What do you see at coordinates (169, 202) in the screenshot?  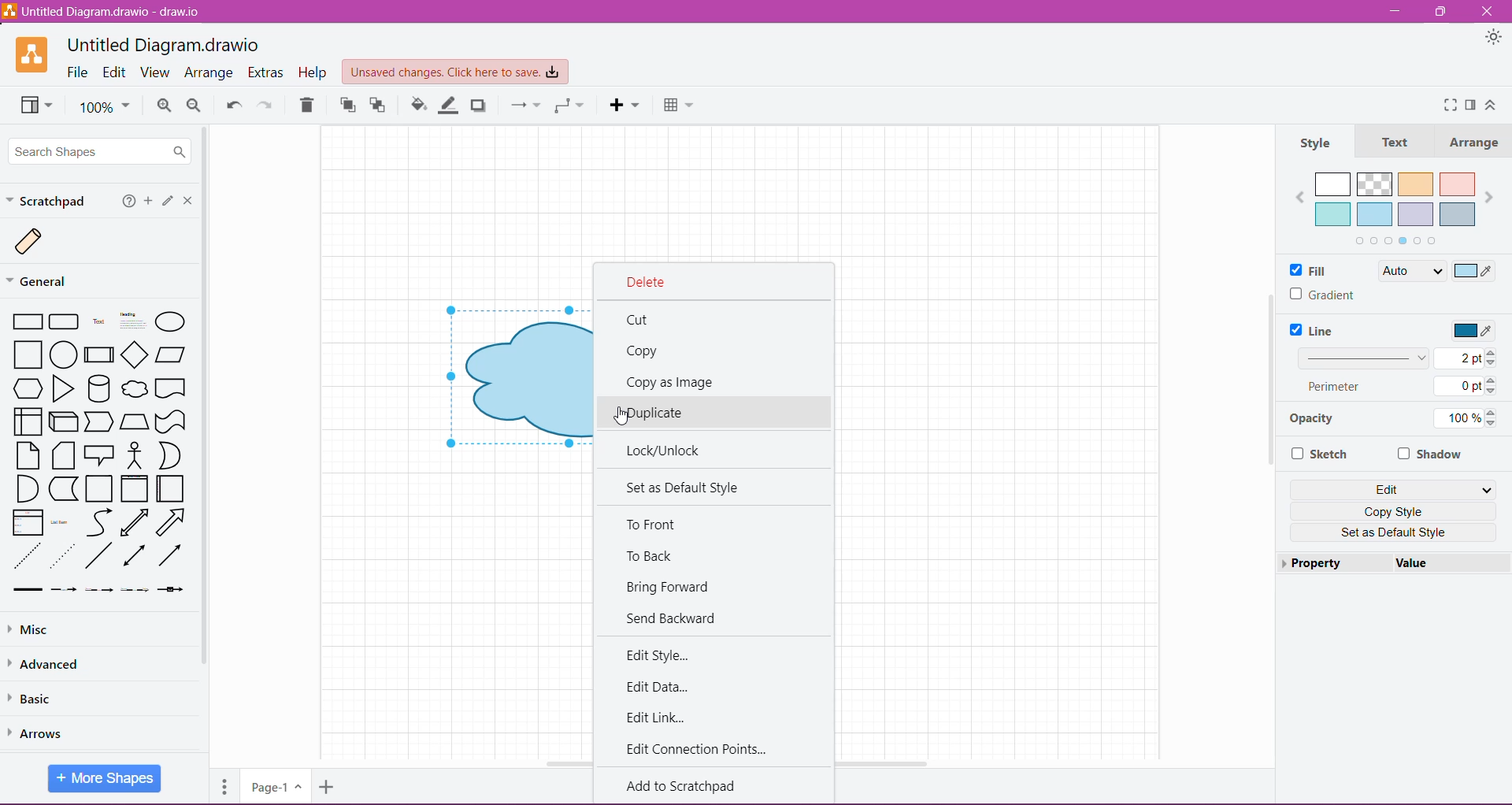 I see `Click or drag and drop shapes` at bounding box center [169, 202].